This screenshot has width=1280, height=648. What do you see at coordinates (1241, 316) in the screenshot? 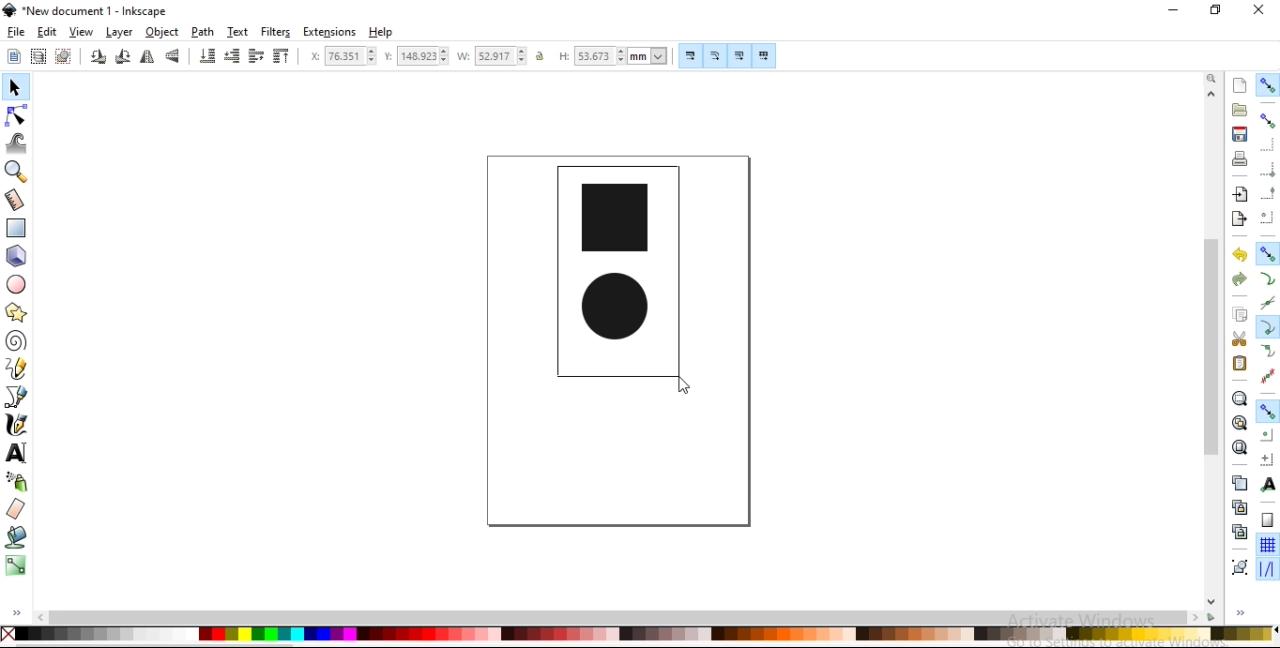
I see `copy` at bounding box center [1241, 316].